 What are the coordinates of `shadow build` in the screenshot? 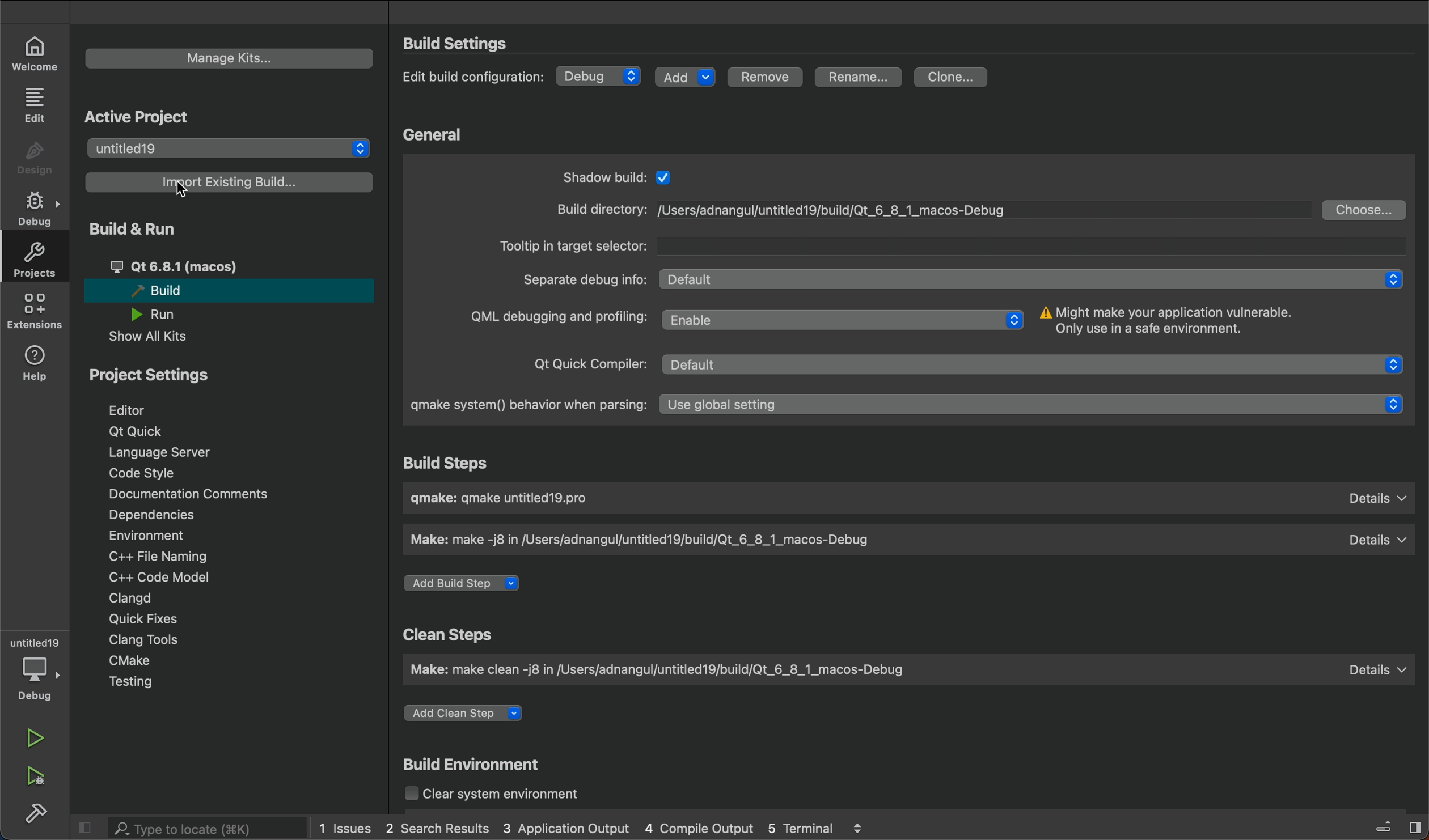 It's located at (627, 177).